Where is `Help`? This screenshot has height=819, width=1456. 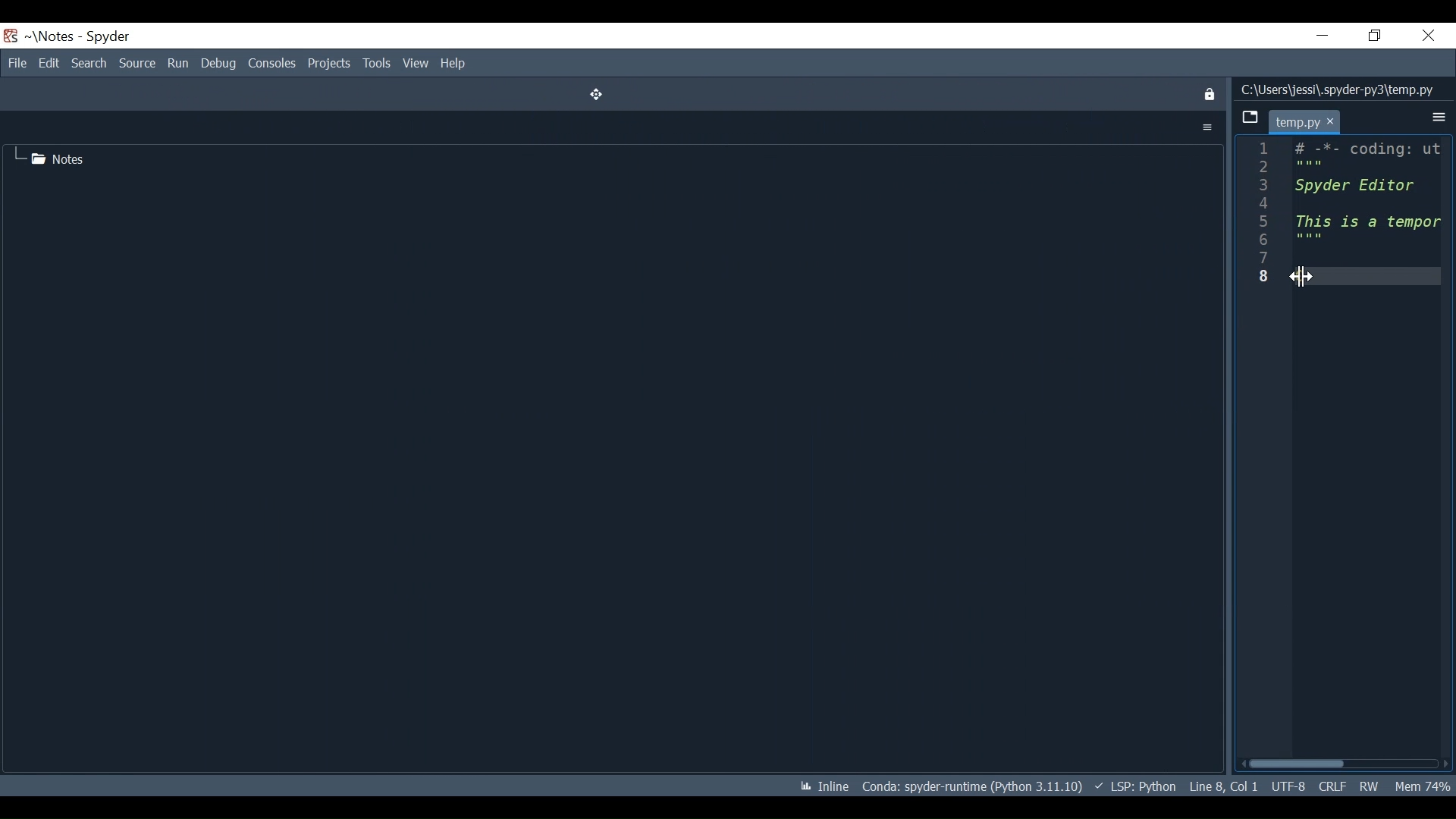
Help is located at coordinates (453, 63).